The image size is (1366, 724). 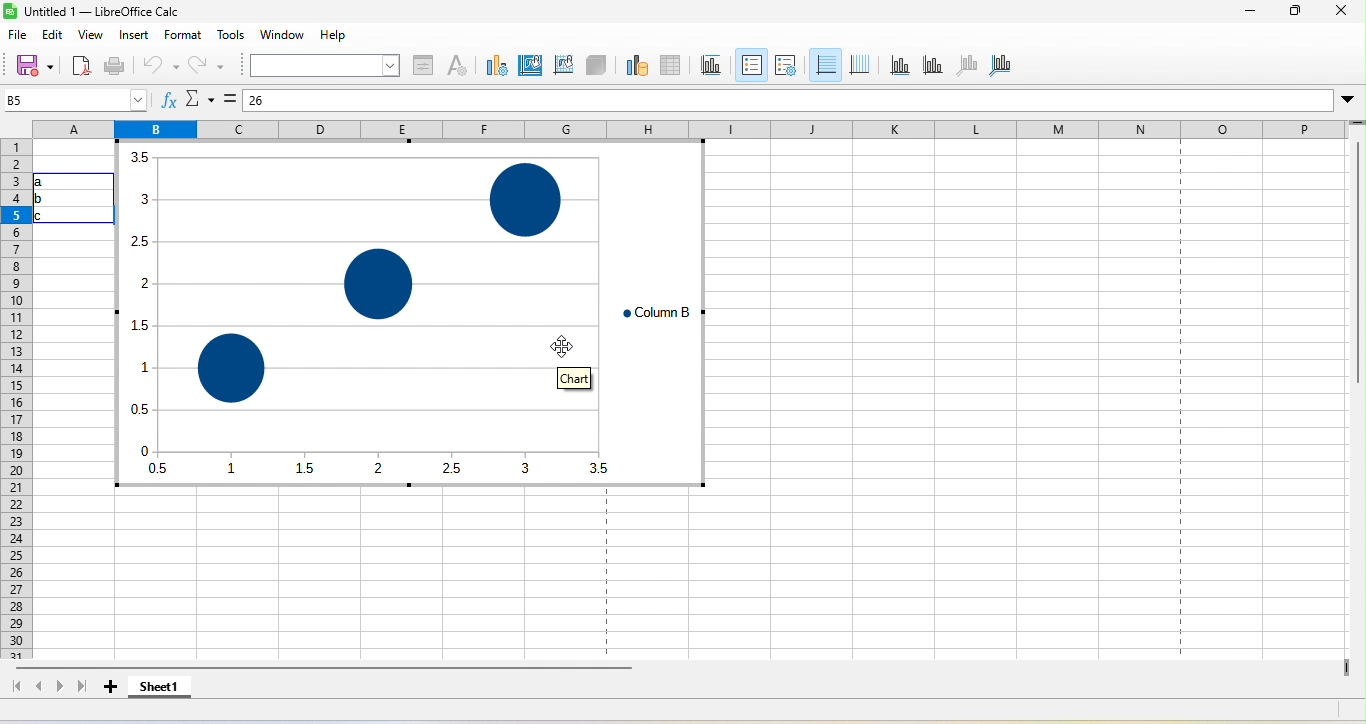 I want to click on Dropdown, so click(x=1349, y=100).